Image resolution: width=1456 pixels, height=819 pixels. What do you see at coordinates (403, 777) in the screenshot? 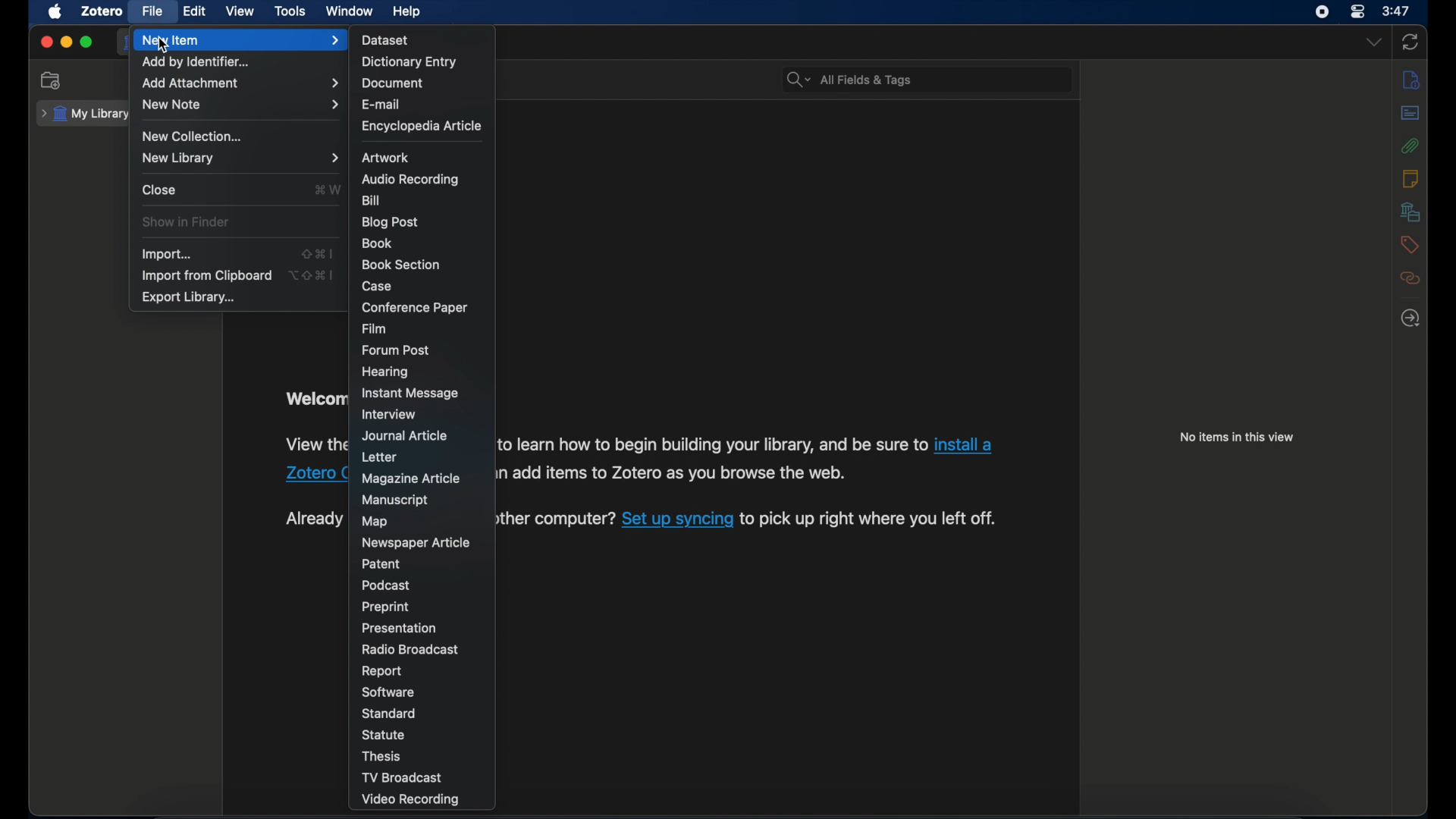
I see `tv broadcast` at bounding box center [403, 777].